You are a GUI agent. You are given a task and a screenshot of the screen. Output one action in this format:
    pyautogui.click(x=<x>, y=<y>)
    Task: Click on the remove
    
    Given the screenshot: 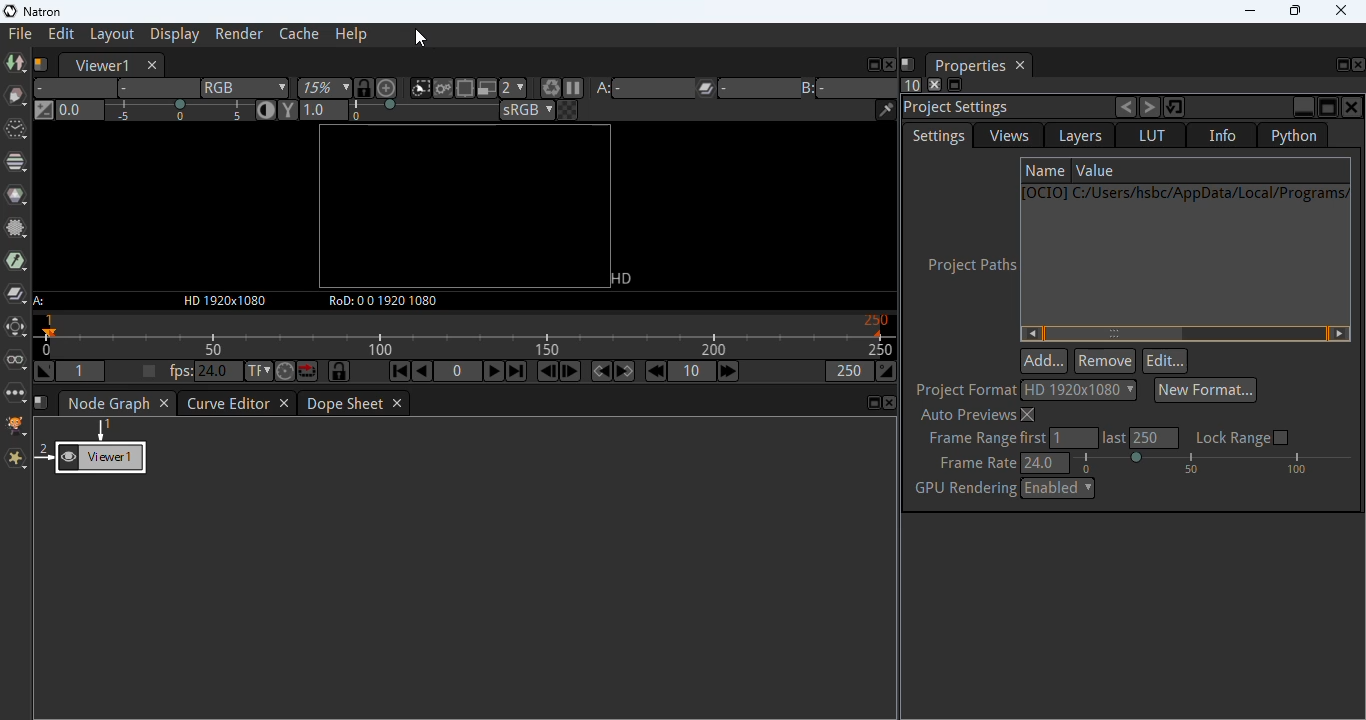 What is the action you would take?
    pyautogui.click(x=1105, y=361)
    